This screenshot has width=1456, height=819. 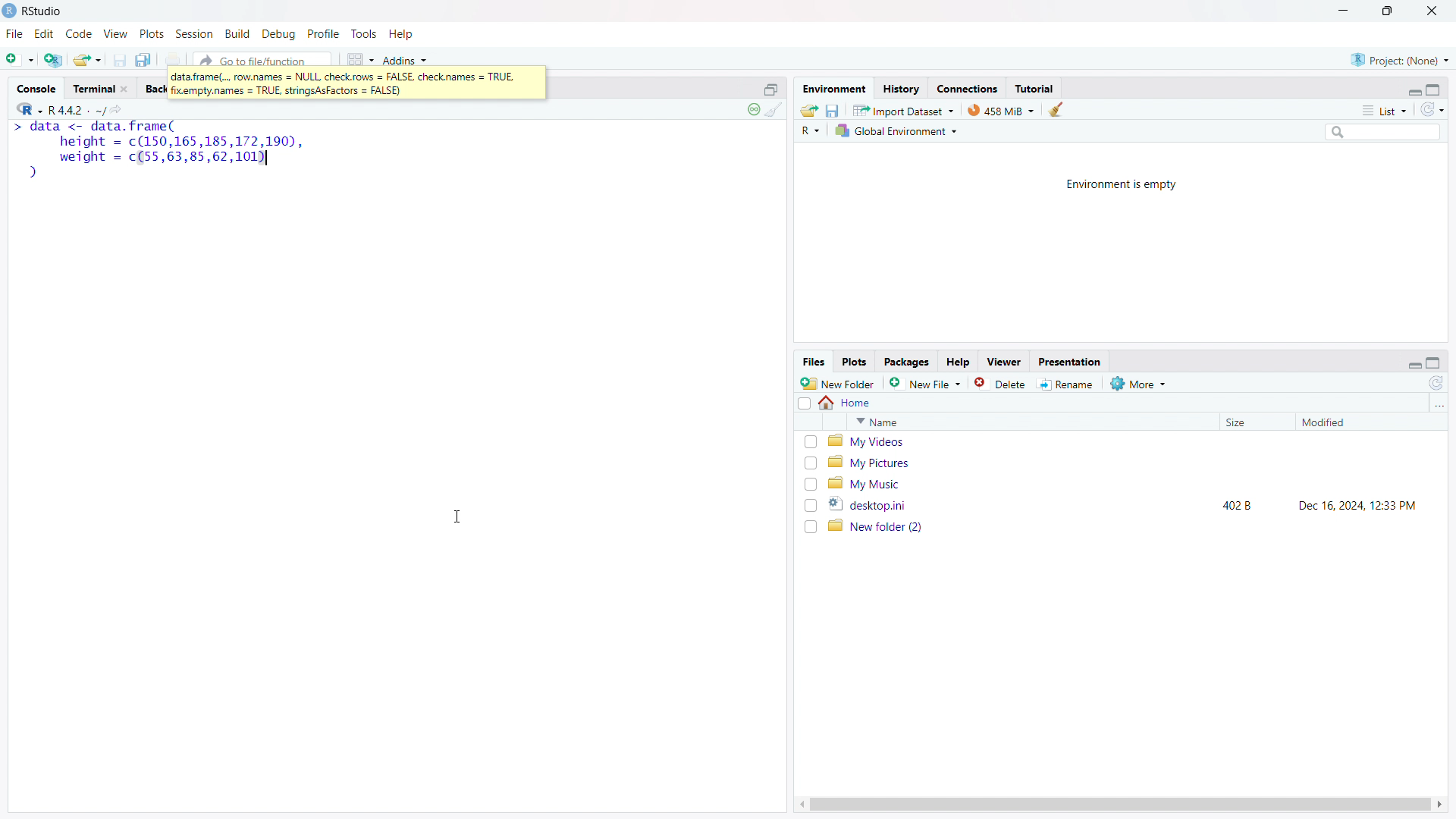 I want to click on session, so click(x=194, y=33).